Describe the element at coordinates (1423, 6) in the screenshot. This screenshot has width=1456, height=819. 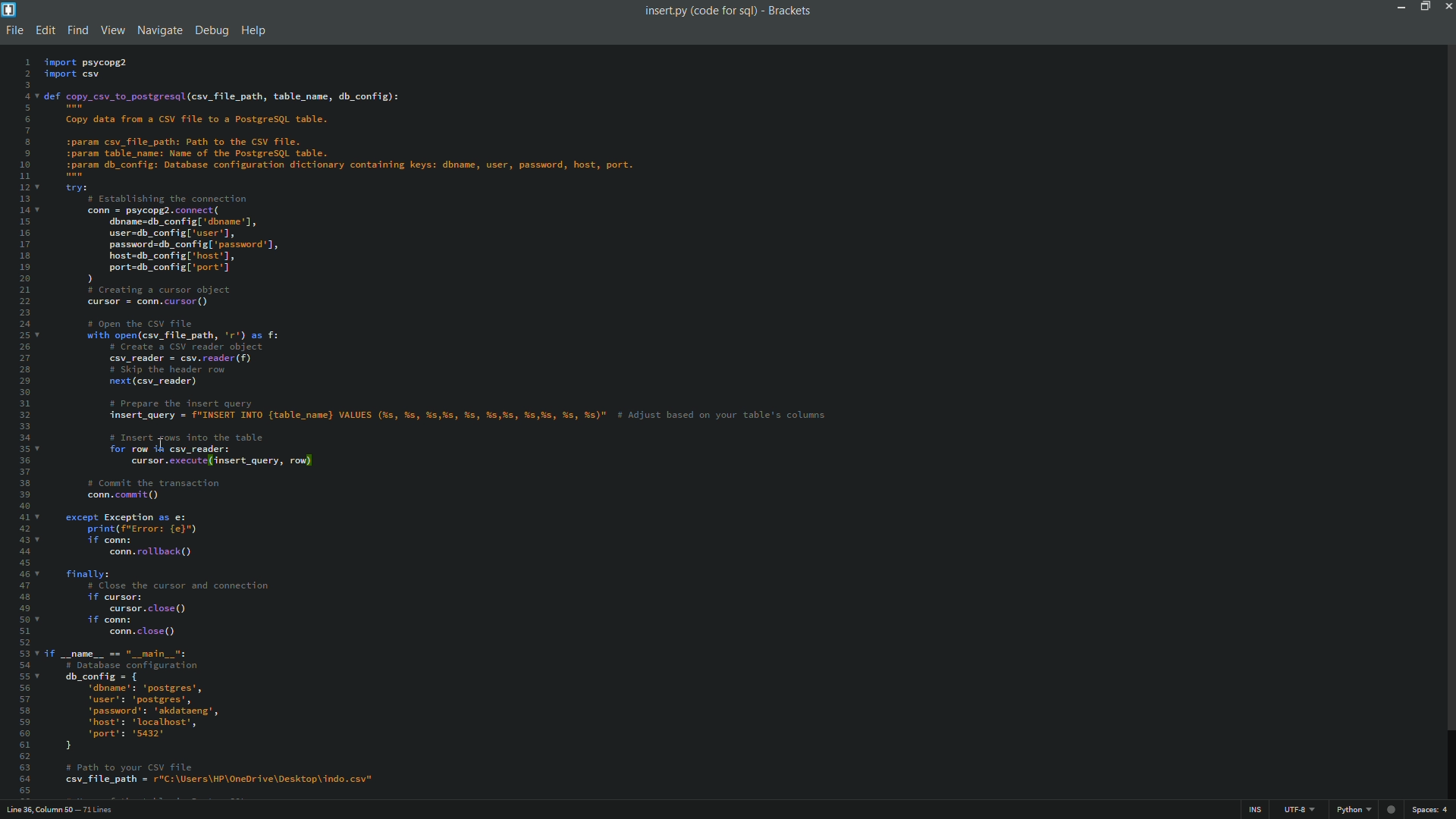
I see `maximize` at that location.